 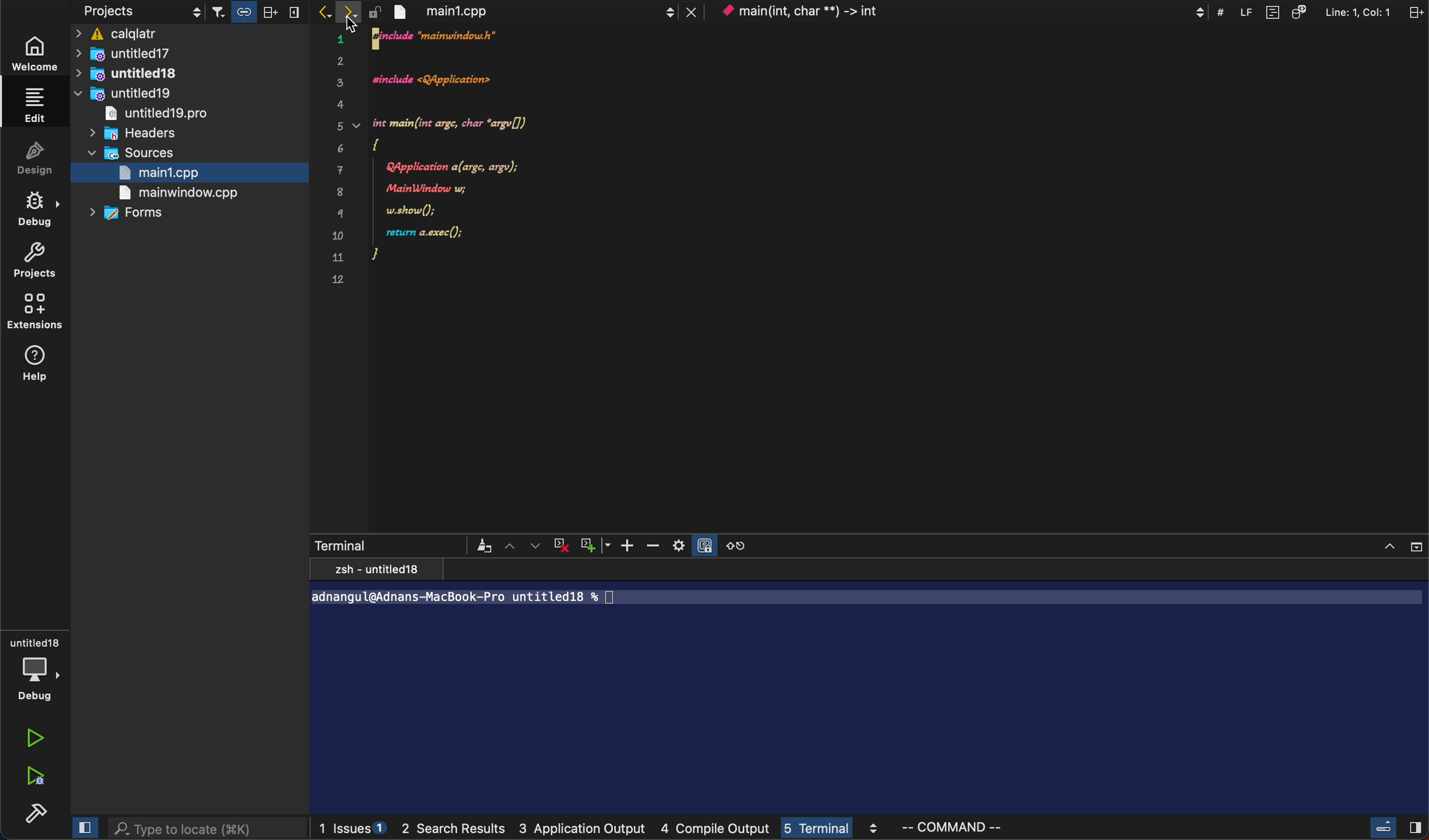 What do you see at coordinates (44, 156) in the screenshot?
I see `design` at bounding box center [44, 156].